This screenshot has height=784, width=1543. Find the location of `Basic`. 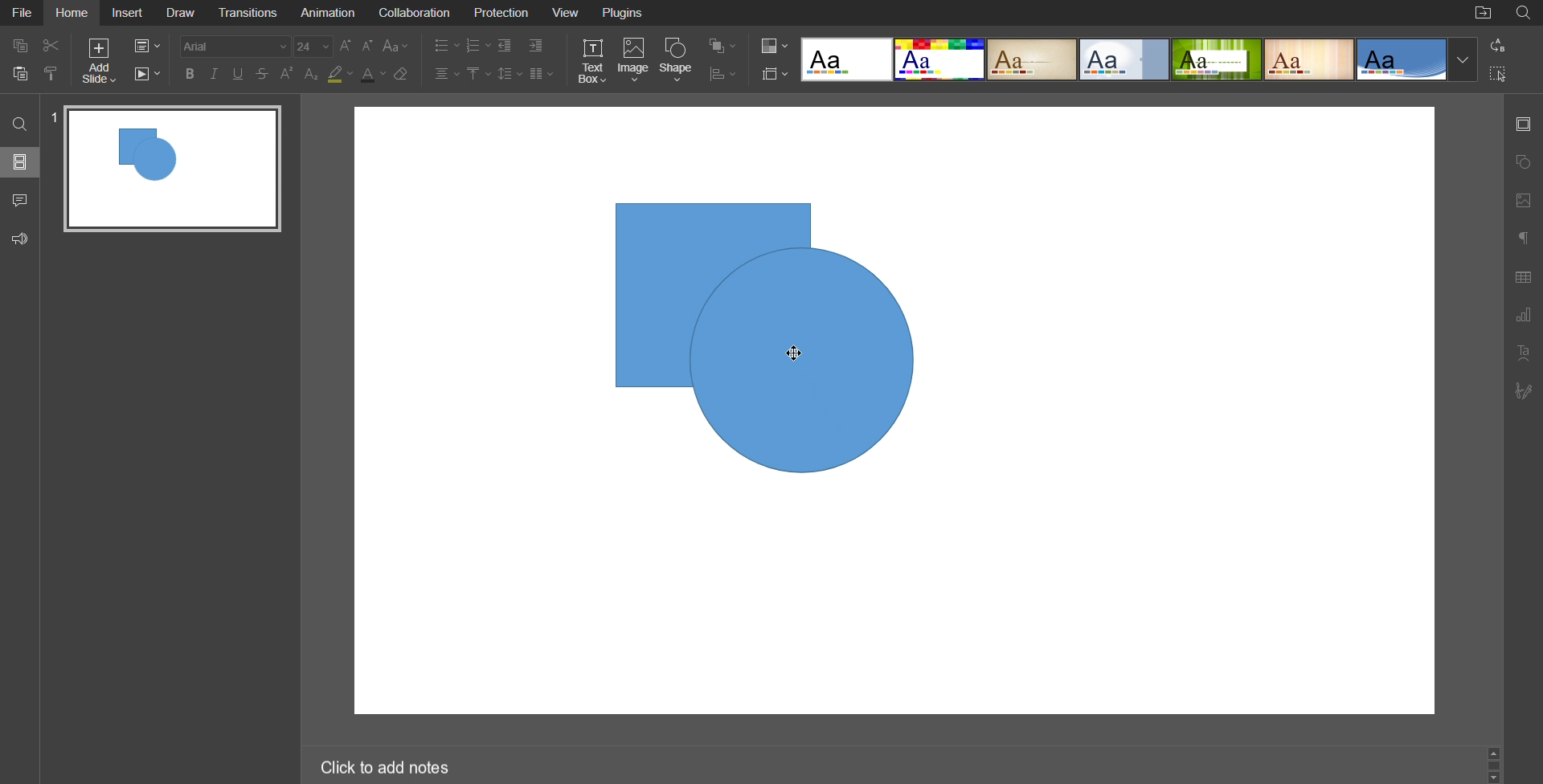

Basic is located at coordinates (940, 59).